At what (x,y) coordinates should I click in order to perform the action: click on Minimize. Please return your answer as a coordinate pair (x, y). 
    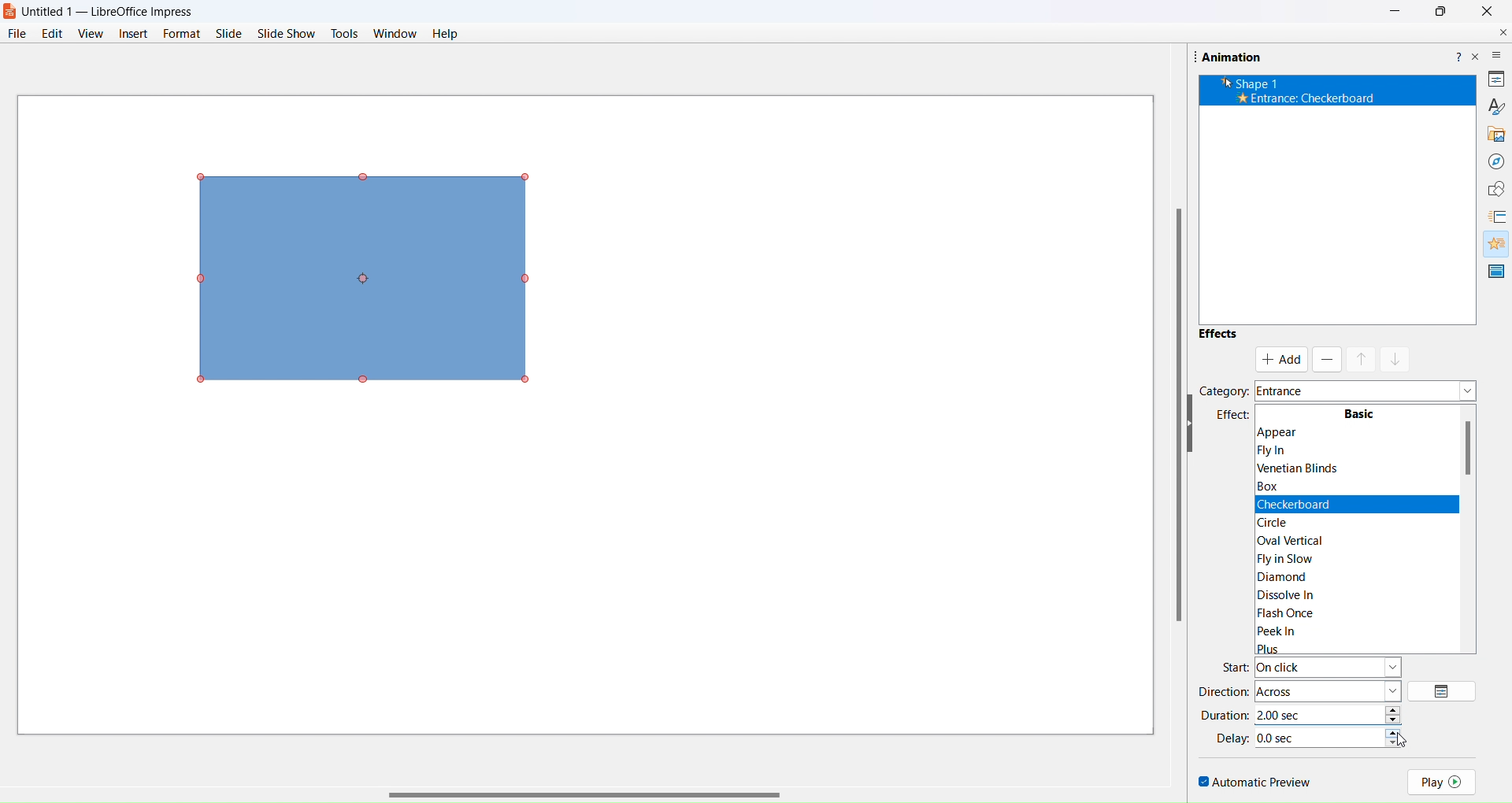
    Looking at the image, I should click on (1392, 13).